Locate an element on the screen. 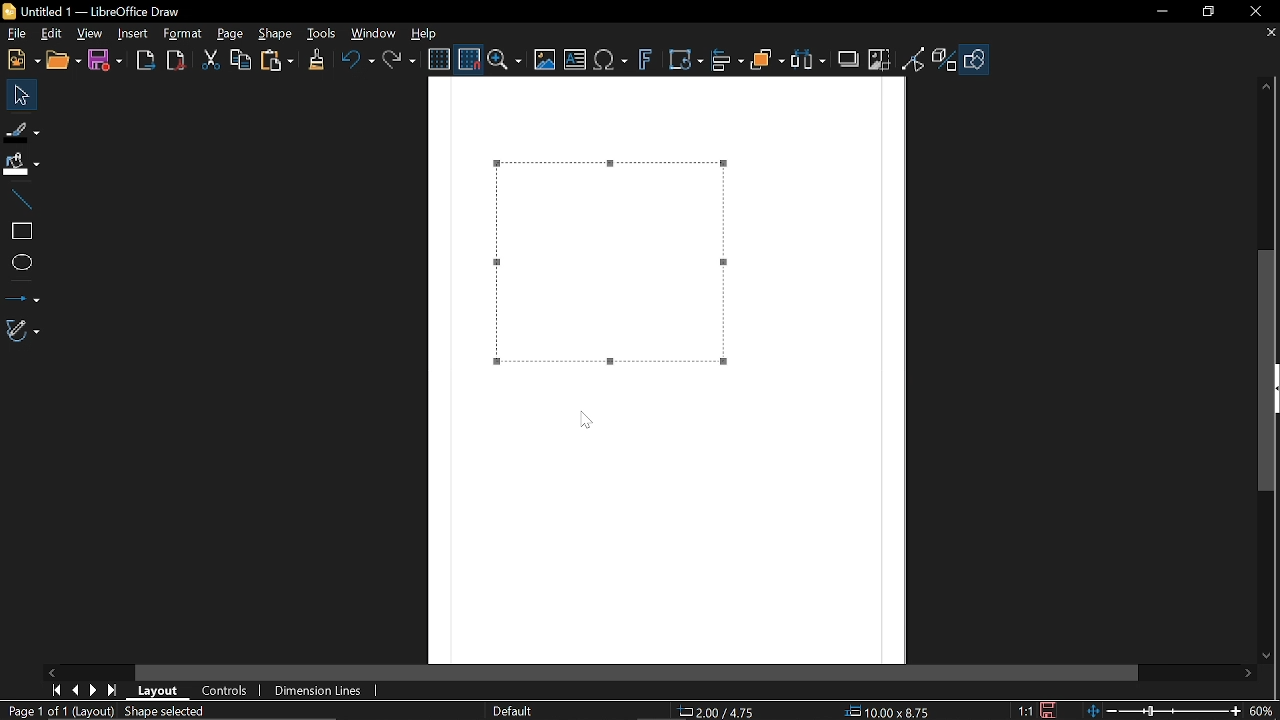  proportion is located at coordinates (1023, 710).